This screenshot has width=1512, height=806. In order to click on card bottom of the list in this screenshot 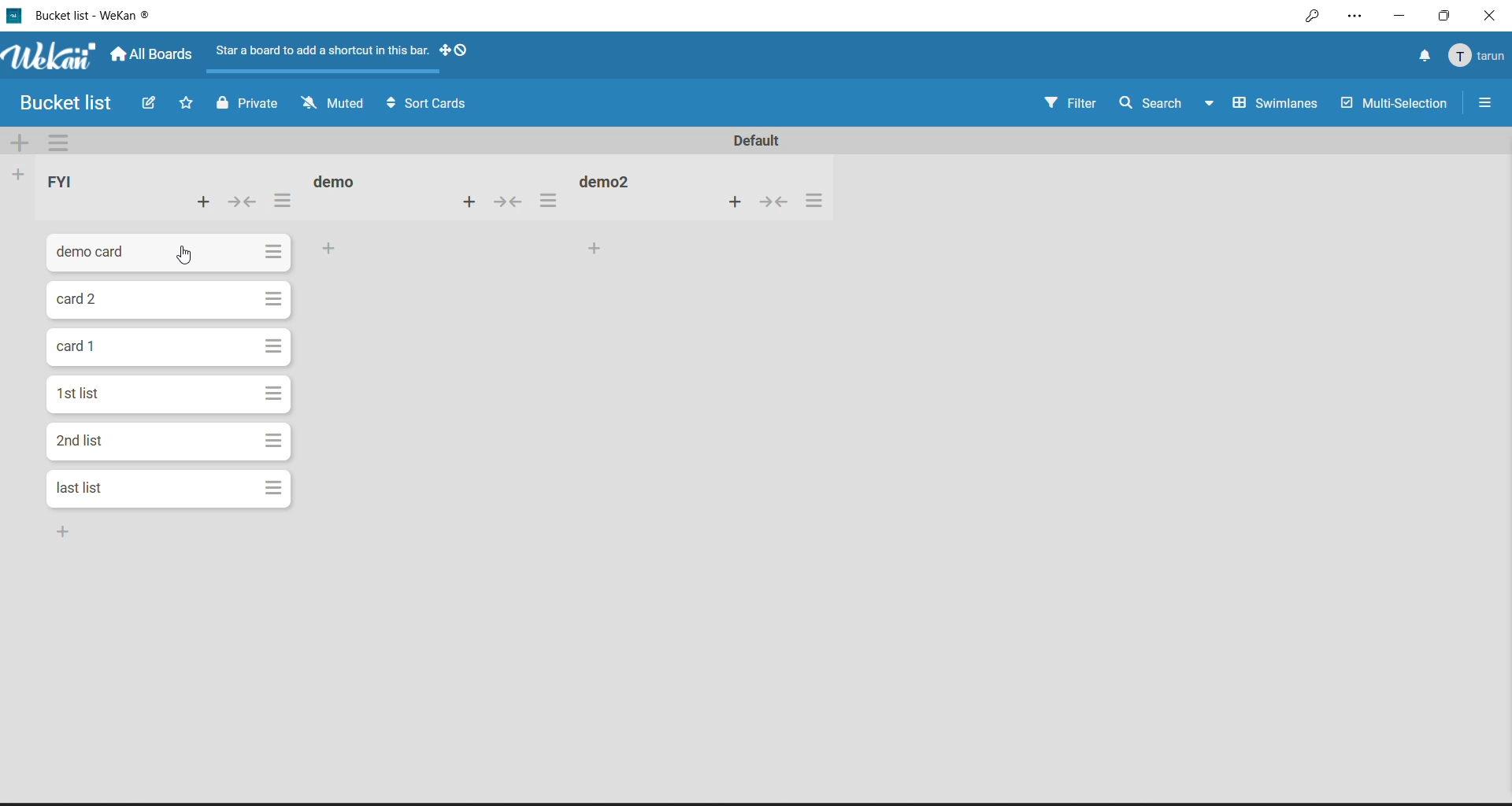, I will do `click(154, 533)`.